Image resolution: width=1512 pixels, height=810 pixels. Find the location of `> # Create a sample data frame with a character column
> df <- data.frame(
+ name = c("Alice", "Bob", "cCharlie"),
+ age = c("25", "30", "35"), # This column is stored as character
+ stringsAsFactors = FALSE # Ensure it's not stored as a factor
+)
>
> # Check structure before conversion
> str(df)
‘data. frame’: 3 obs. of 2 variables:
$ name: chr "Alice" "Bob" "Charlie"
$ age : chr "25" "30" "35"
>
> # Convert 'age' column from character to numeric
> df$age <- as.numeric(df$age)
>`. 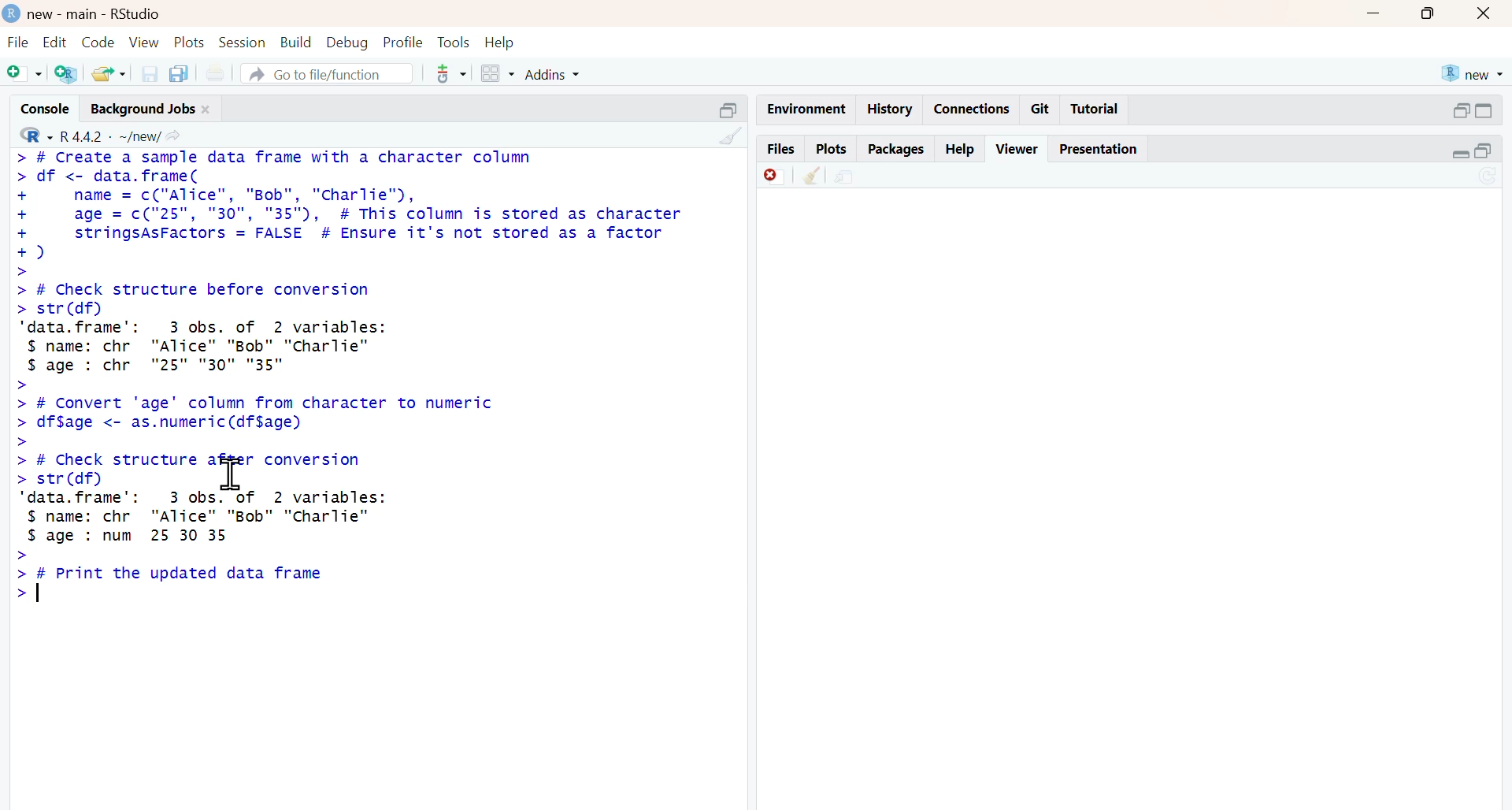

> # Create a sample data frame with a character column
> df <- data.frame(
+ name = c("Alice", "Bob", "cCharlie"),
+ age = c("25", "30", "35"), # This column is stored as character
+ stringsAsFactors = FALSE # Ensure it's not stored as a factor
+)
>
> # Check structure before conversion
> str(df)
‘data. frame’: 3 obs. of 2 variables:
$ name: chr "Alice" "Bob" "Charlie"
$ age : chr "25" "30" "35"
>
> # Convert 'age' column from character to numeric
> df$age <- as.numeric(df$age)
> is located at coordinates (350, 297).